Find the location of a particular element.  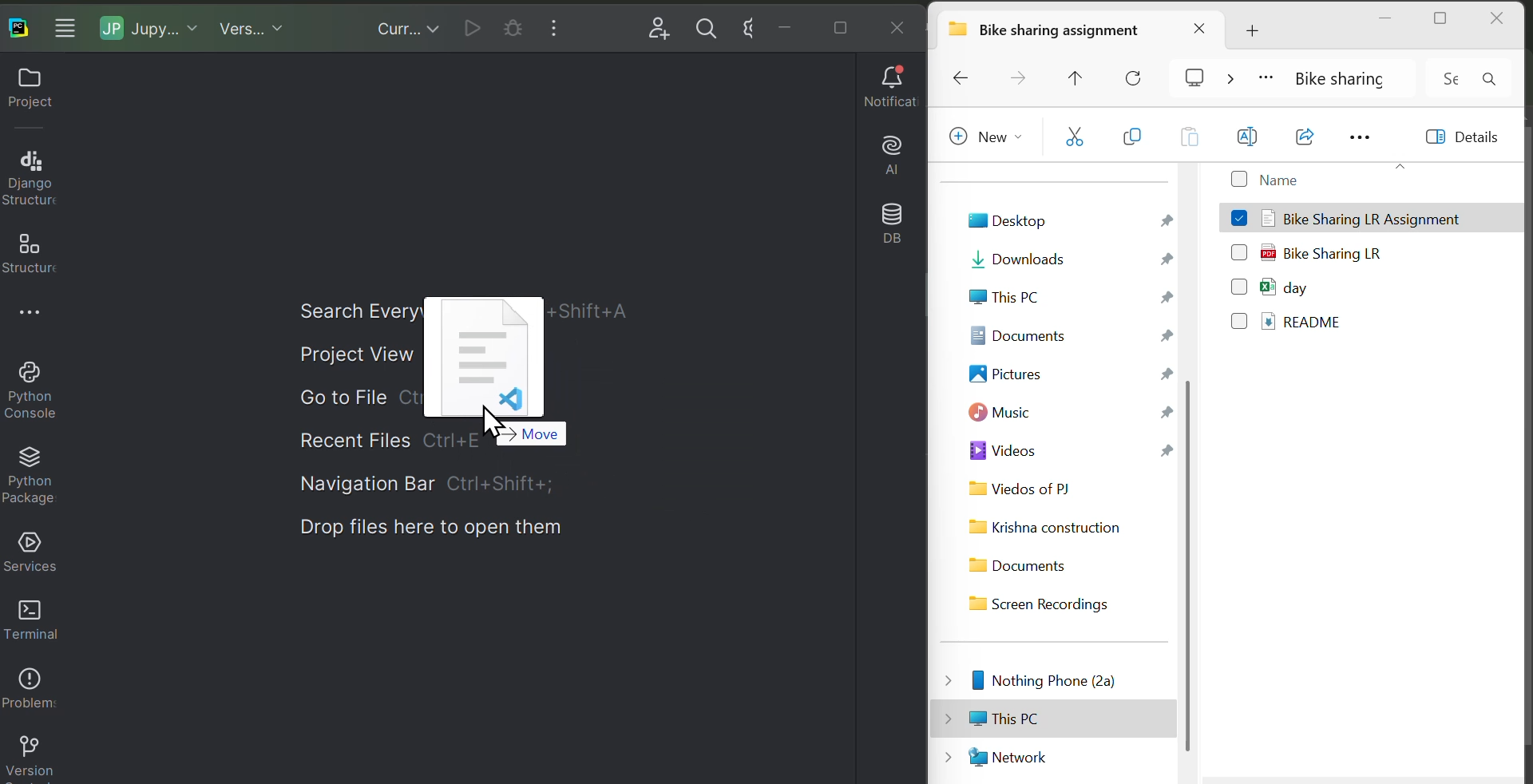

Python console is located at coordinates (29, 393).